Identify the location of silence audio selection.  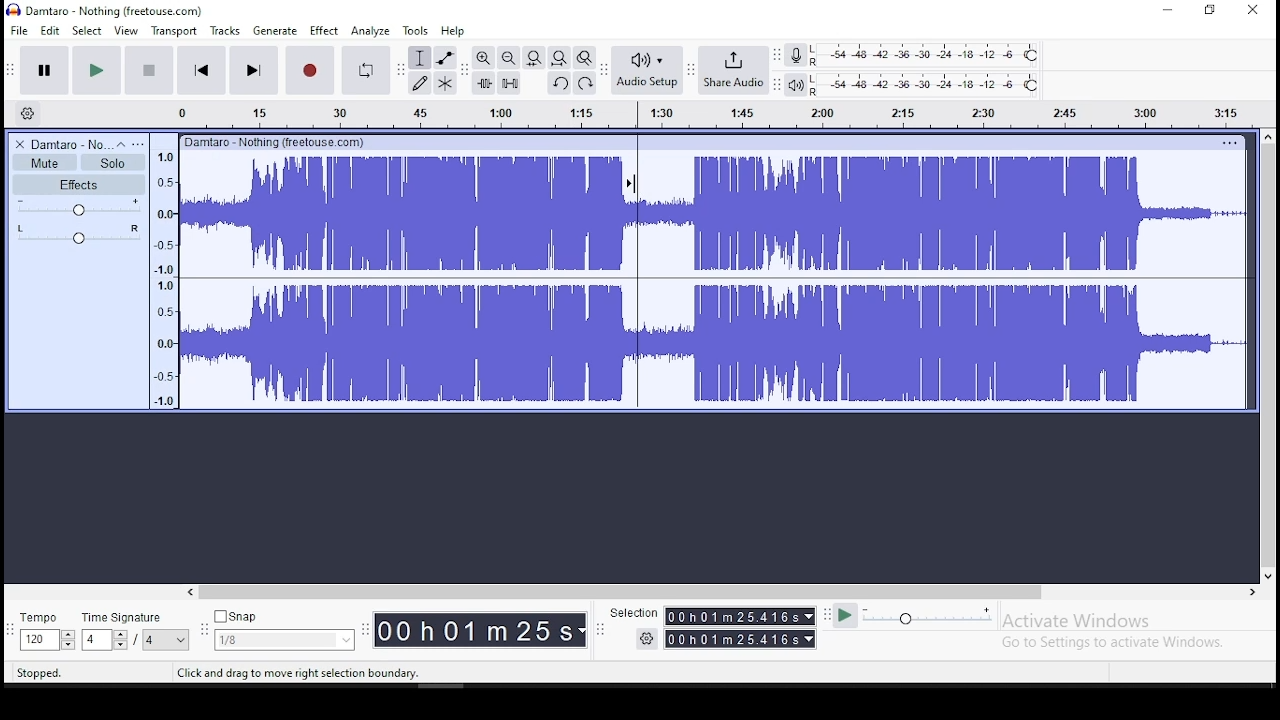
(510, 82).